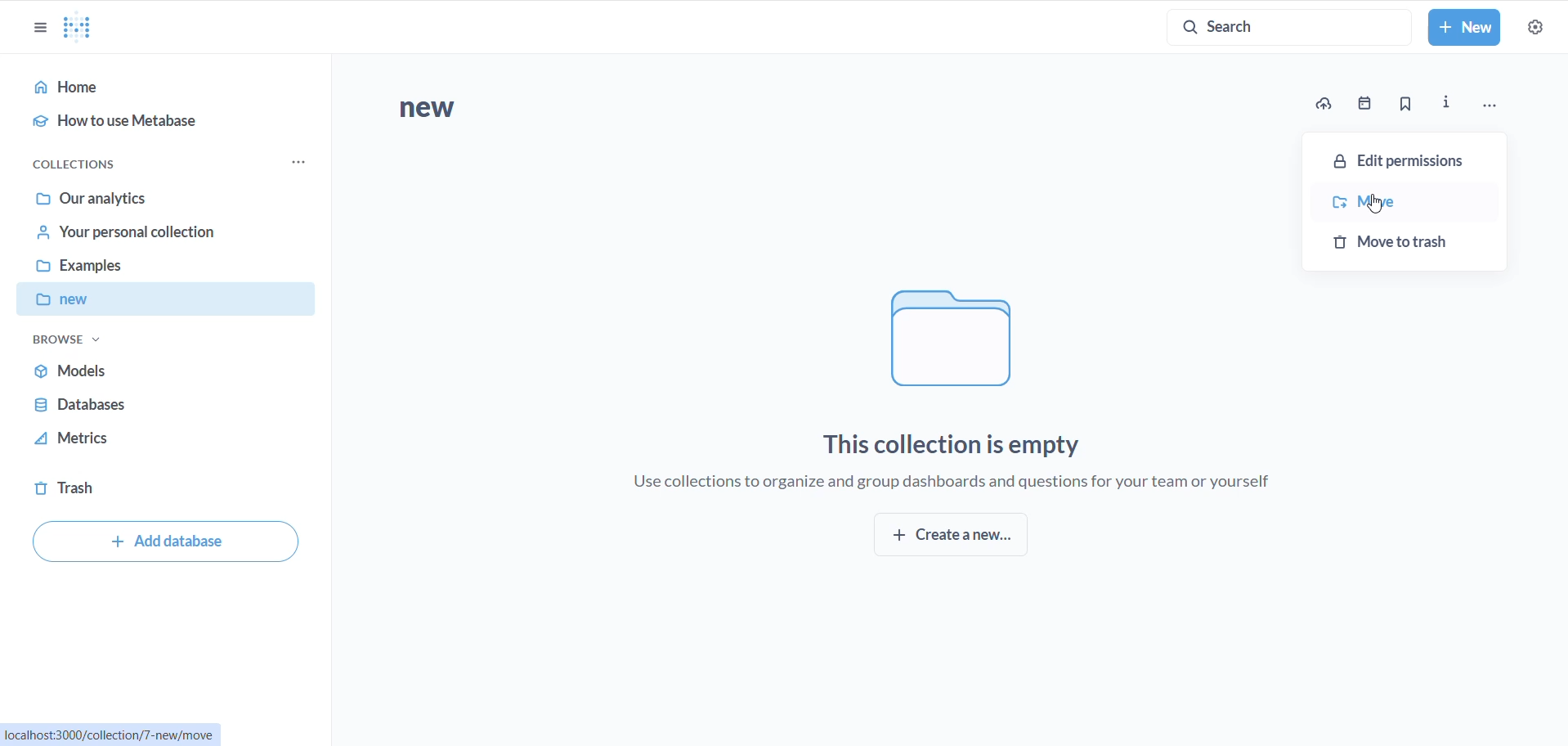  Describe the element at coordinates (1369, 105) in the screenshot. I see `date` at that location.